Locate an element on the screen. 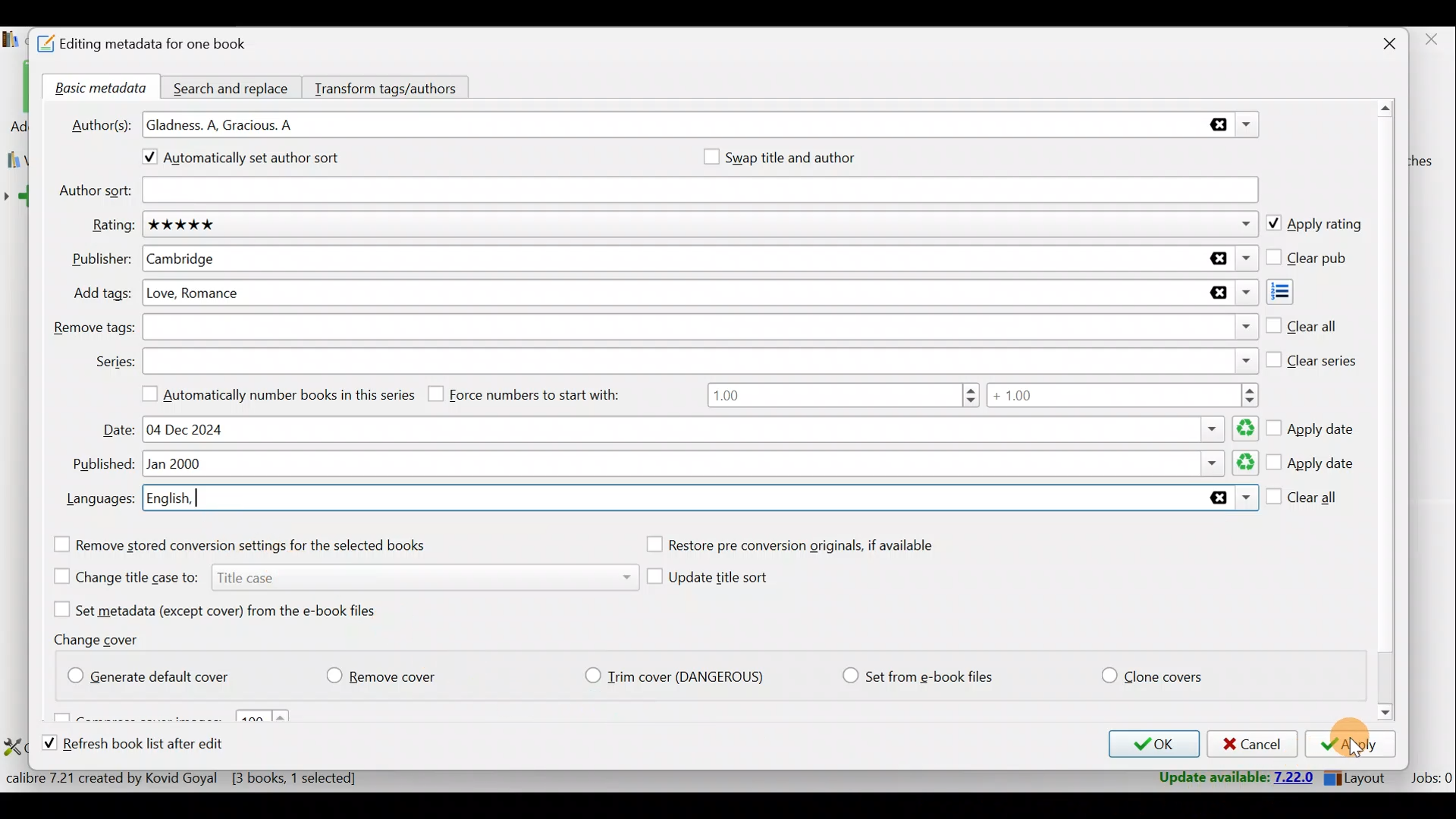 This screenshot has width=1456, height=819. Remove stored conversion settings for the selected books is located at coordinates (260, 544).